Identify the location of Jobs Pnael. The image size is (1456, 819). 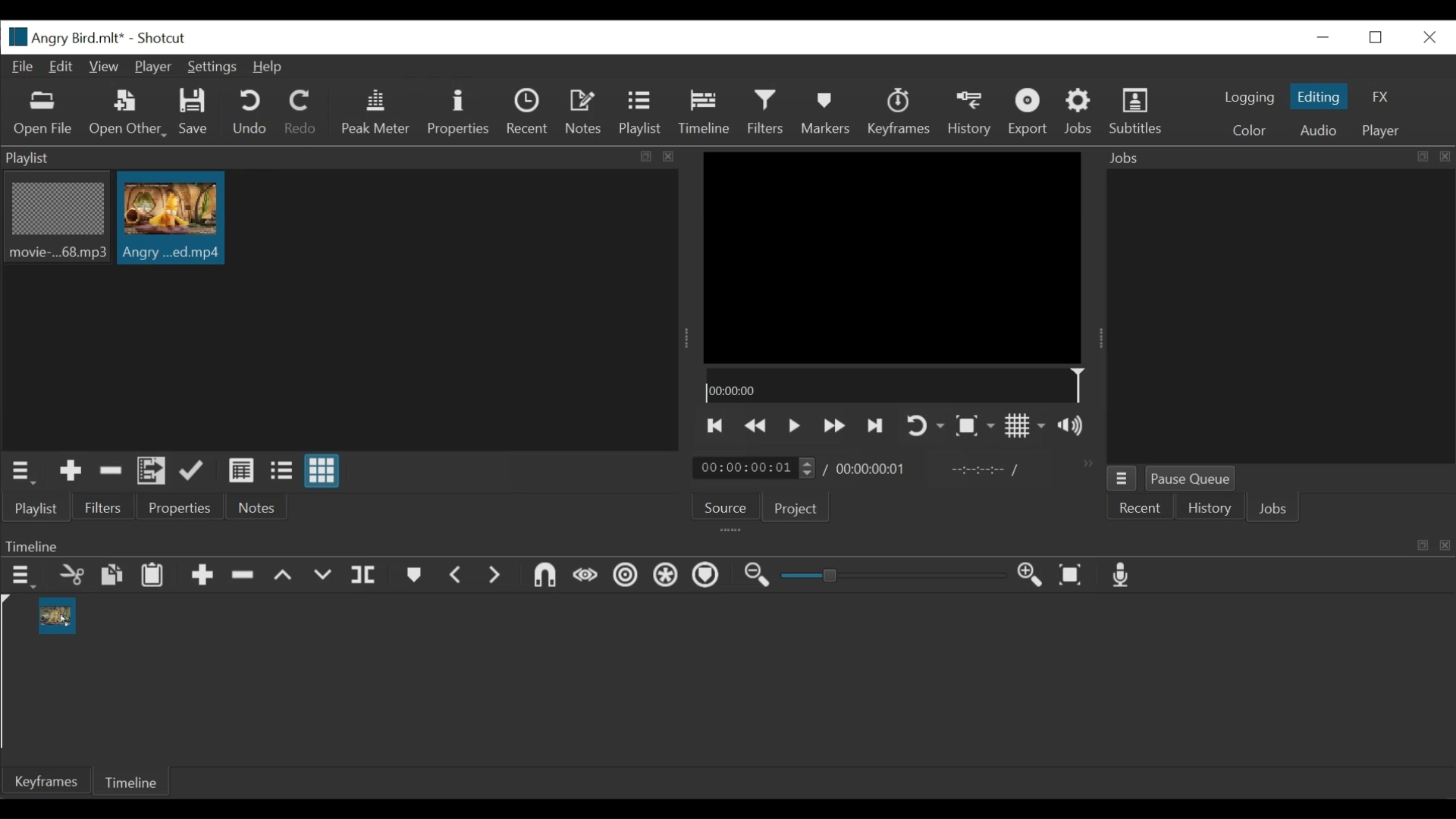
(1279, 160).